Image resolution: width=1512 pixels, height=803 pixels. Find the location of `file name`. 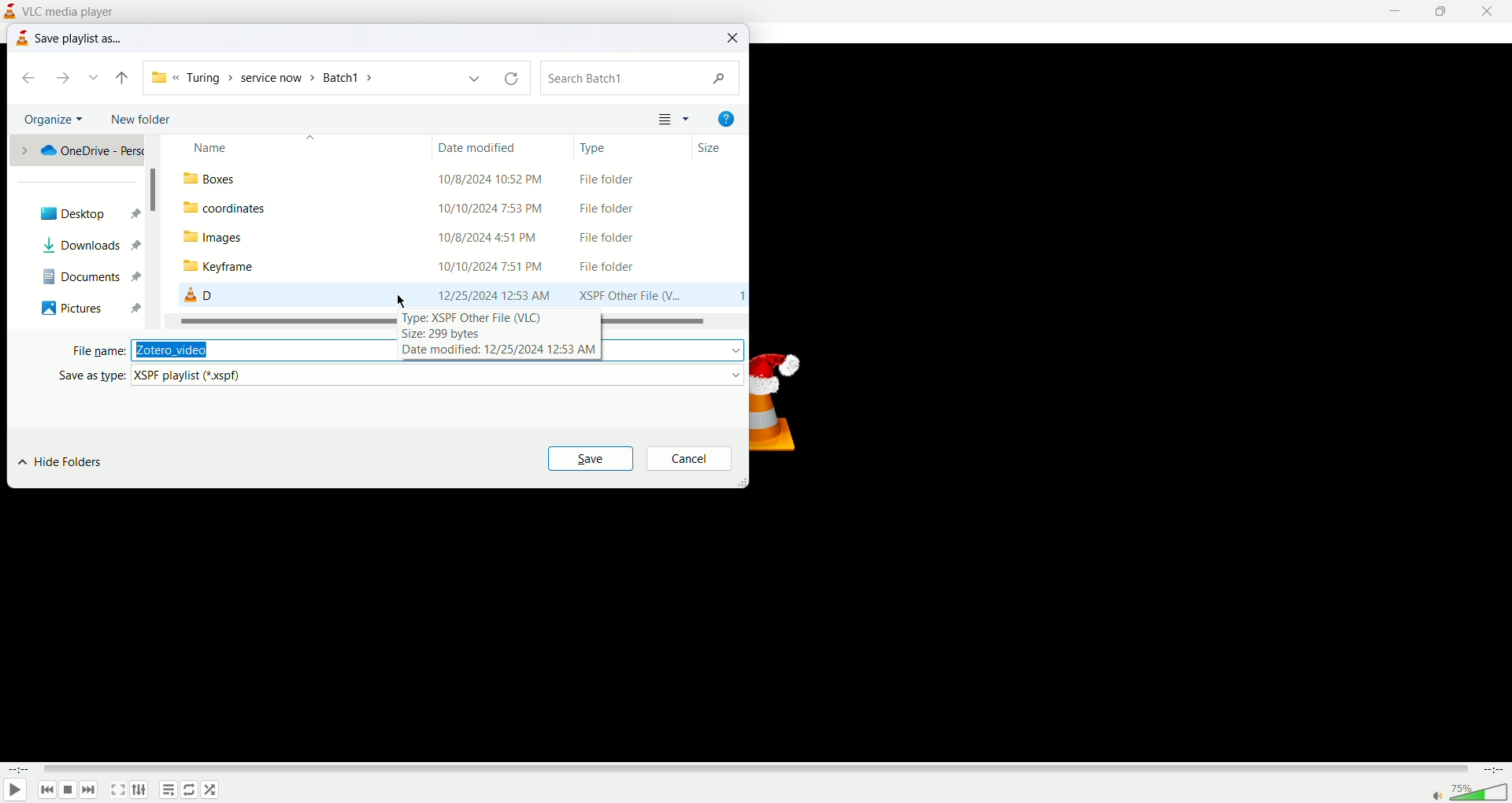

file name is located at coordinates (95, 351).